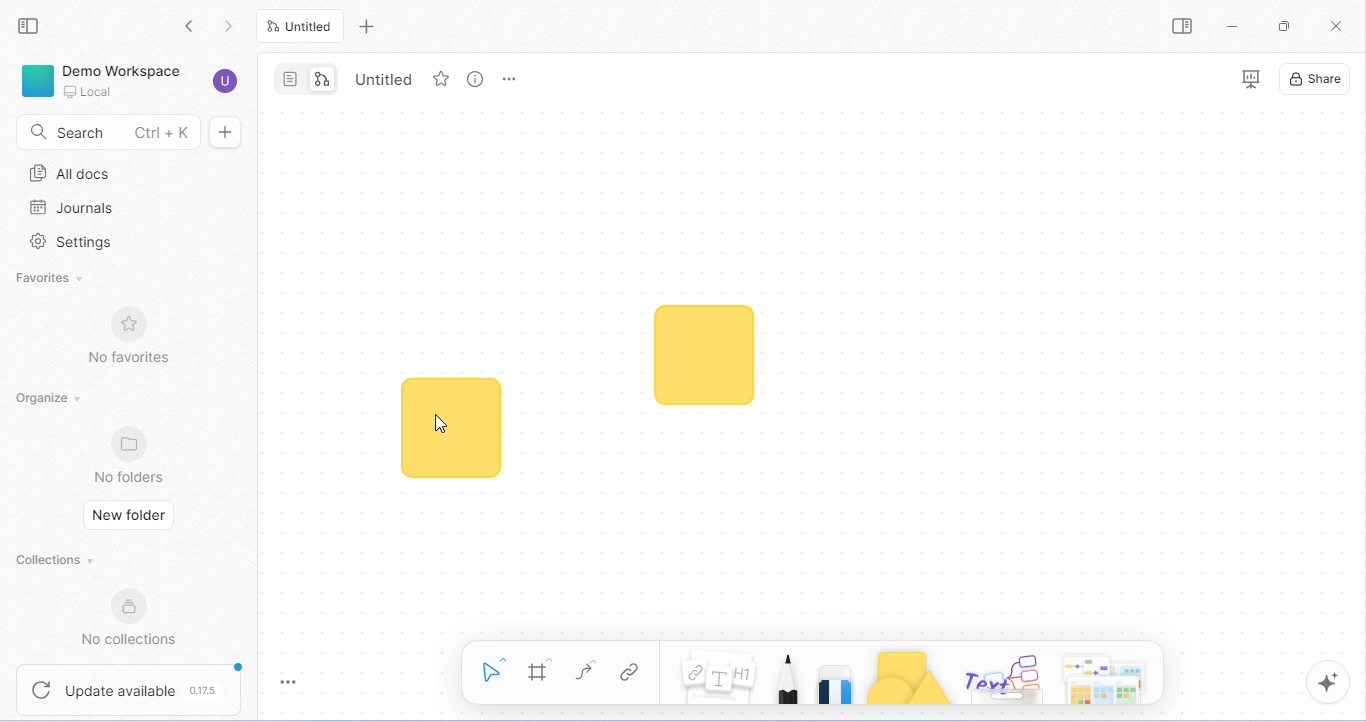 This screenshot has height=722, width=1366. Describe the element at coordinates (137, 620) in the screenshot. I see `no collections` at that location.